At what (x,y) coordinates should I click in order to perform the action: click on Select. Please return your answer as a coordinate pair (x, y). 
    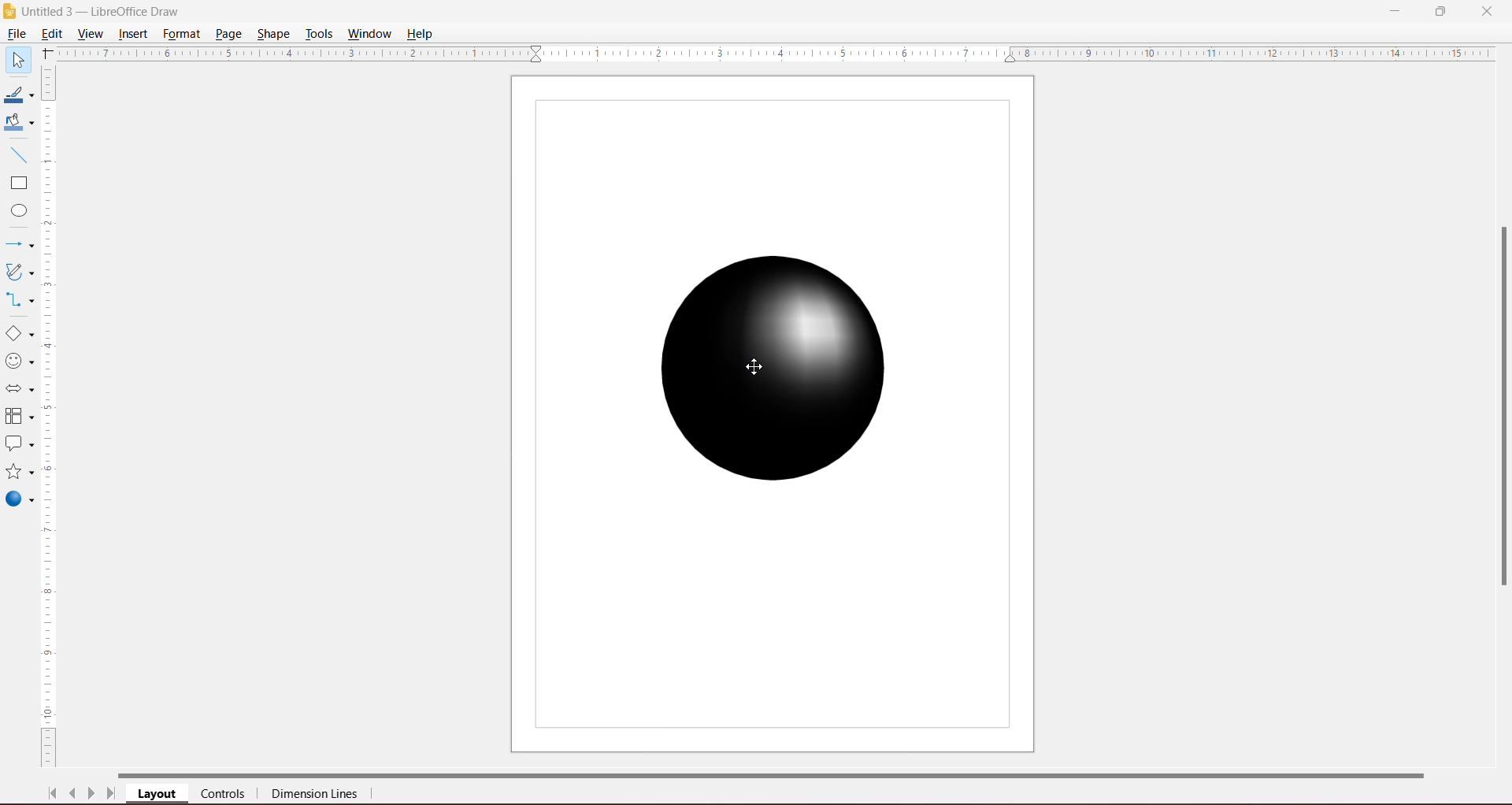
    Looking at the image, I should click on (17, 59).